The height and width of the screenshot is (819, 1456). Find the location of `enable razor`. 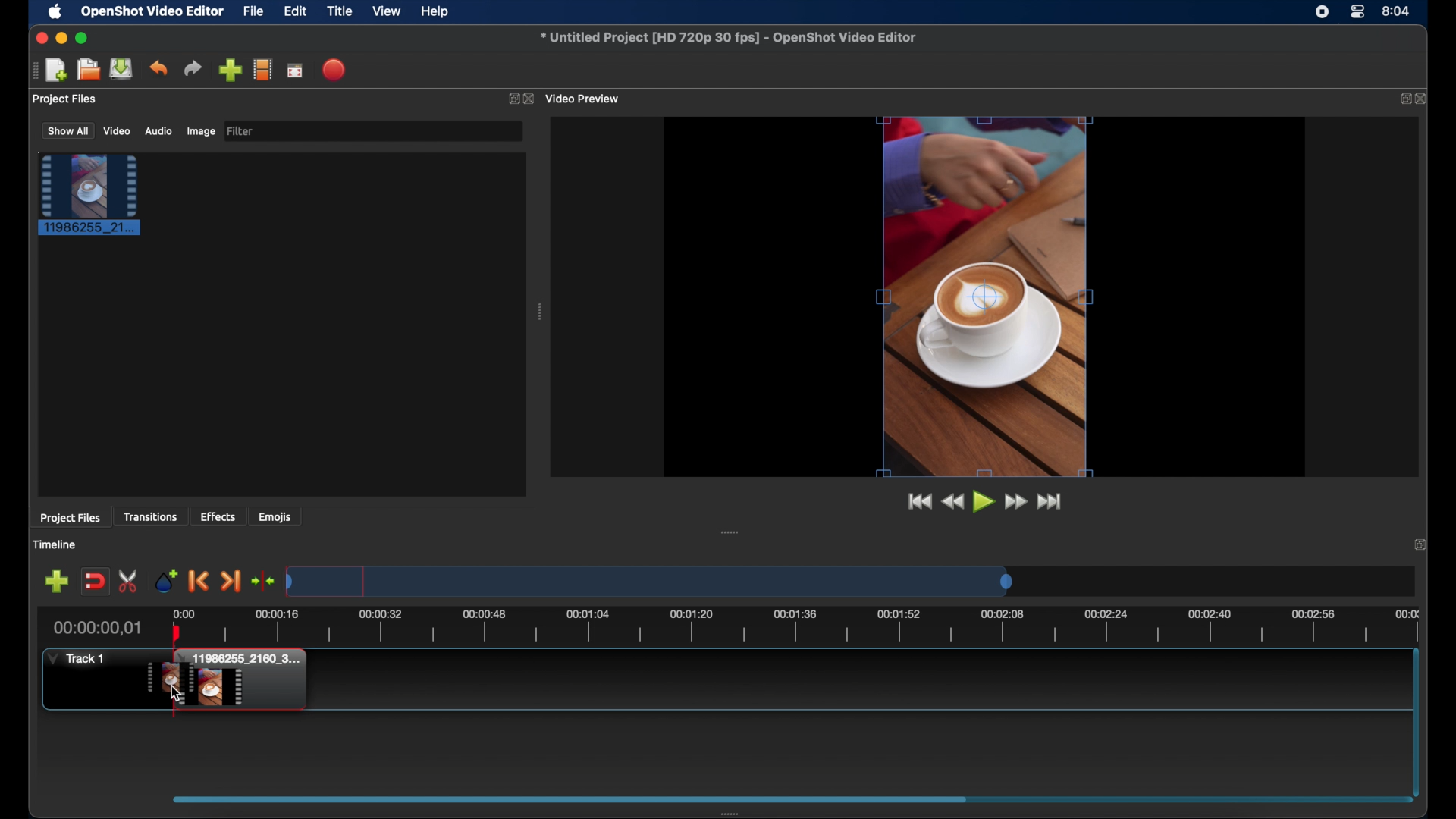

enable razor is located at coordinates (130, 581).